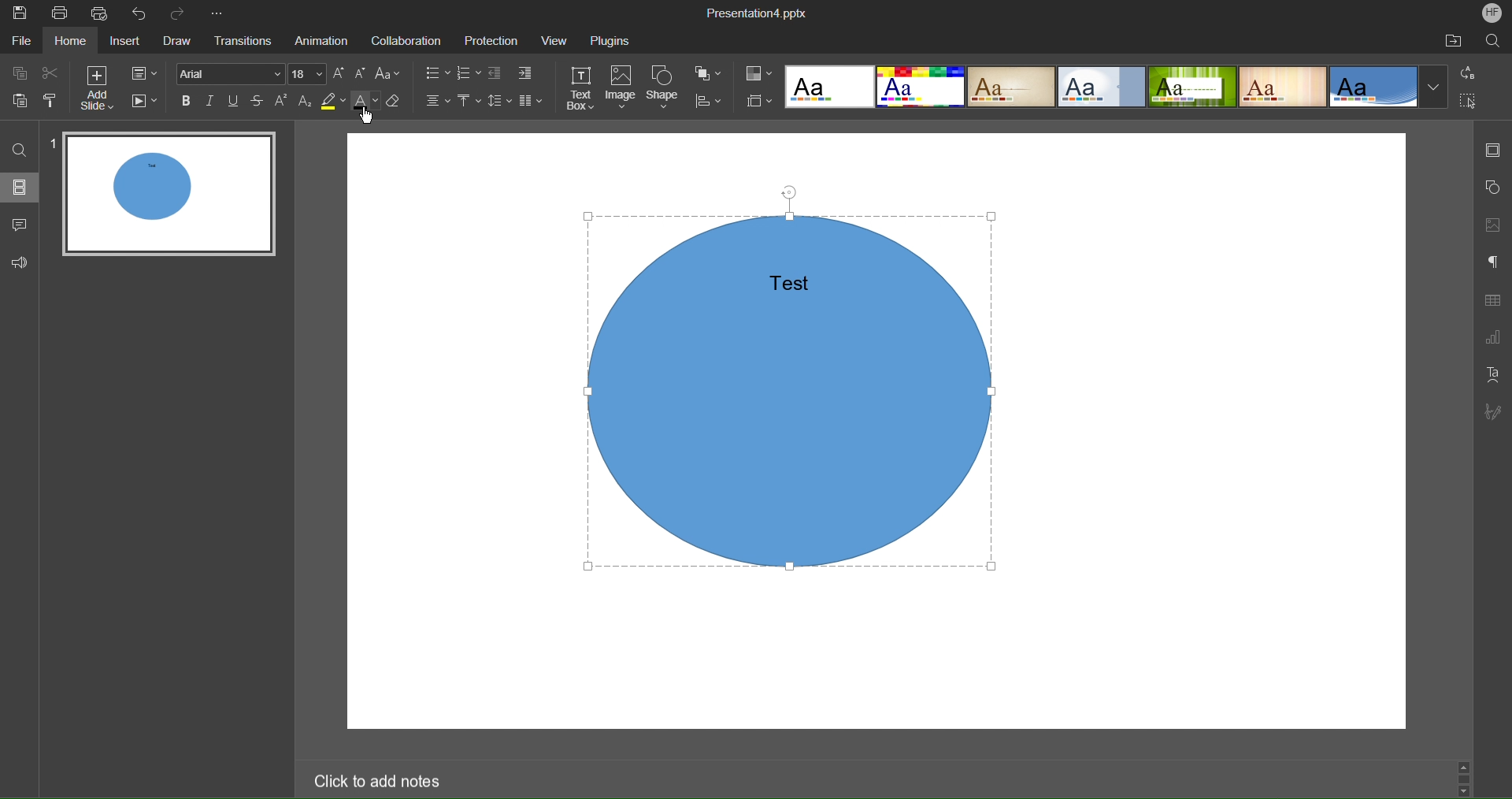 The image size is (1512, 799). I want to click on Scroll down , so click(1466, 793).